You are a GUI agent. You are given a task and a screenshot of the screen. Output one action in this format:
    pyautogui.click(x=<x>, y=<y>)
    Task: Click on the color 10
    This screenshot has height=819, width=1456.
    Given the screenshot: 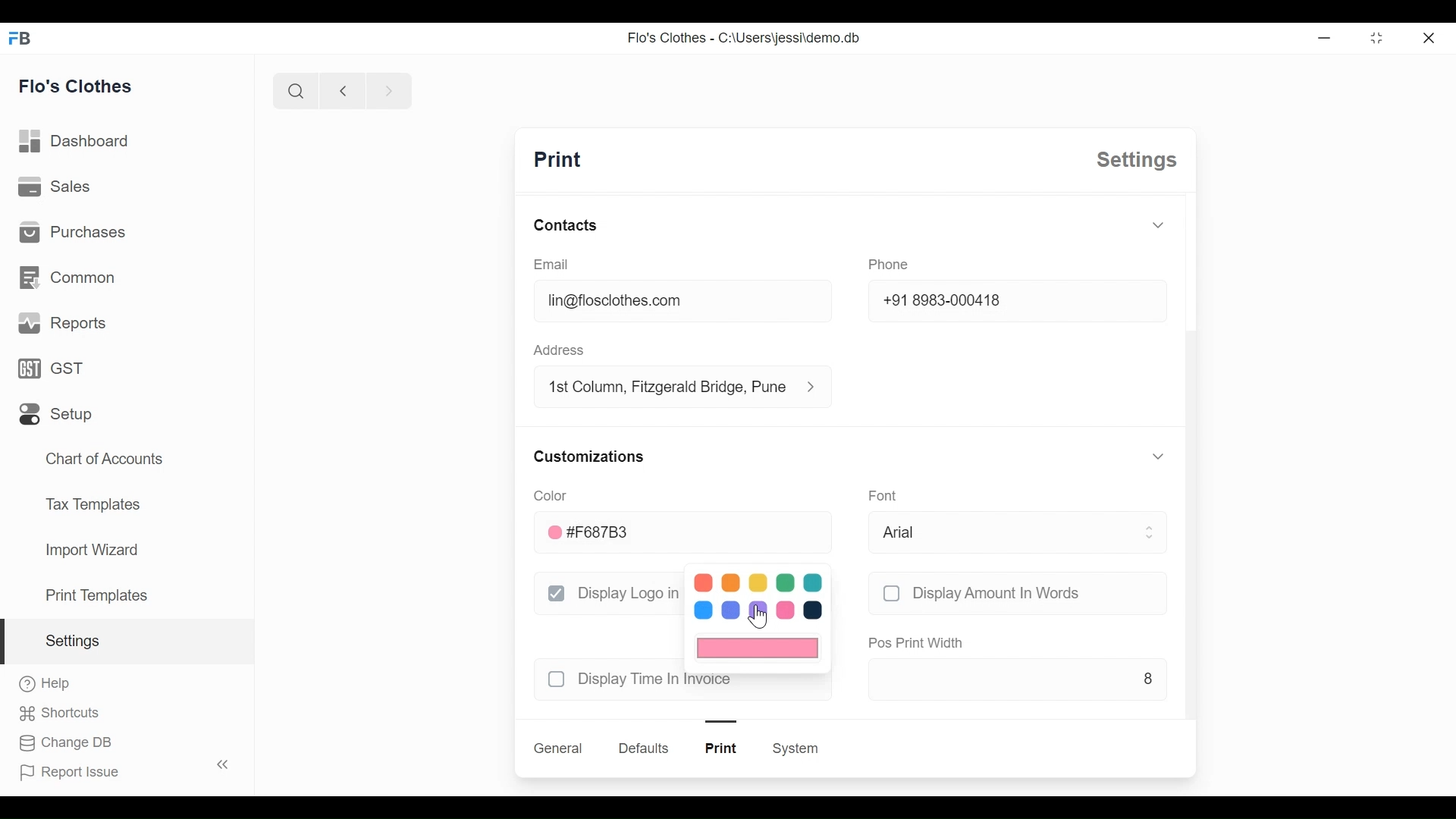 What is the action you would take?
    pyautogui.click(x=812, y=610)
    